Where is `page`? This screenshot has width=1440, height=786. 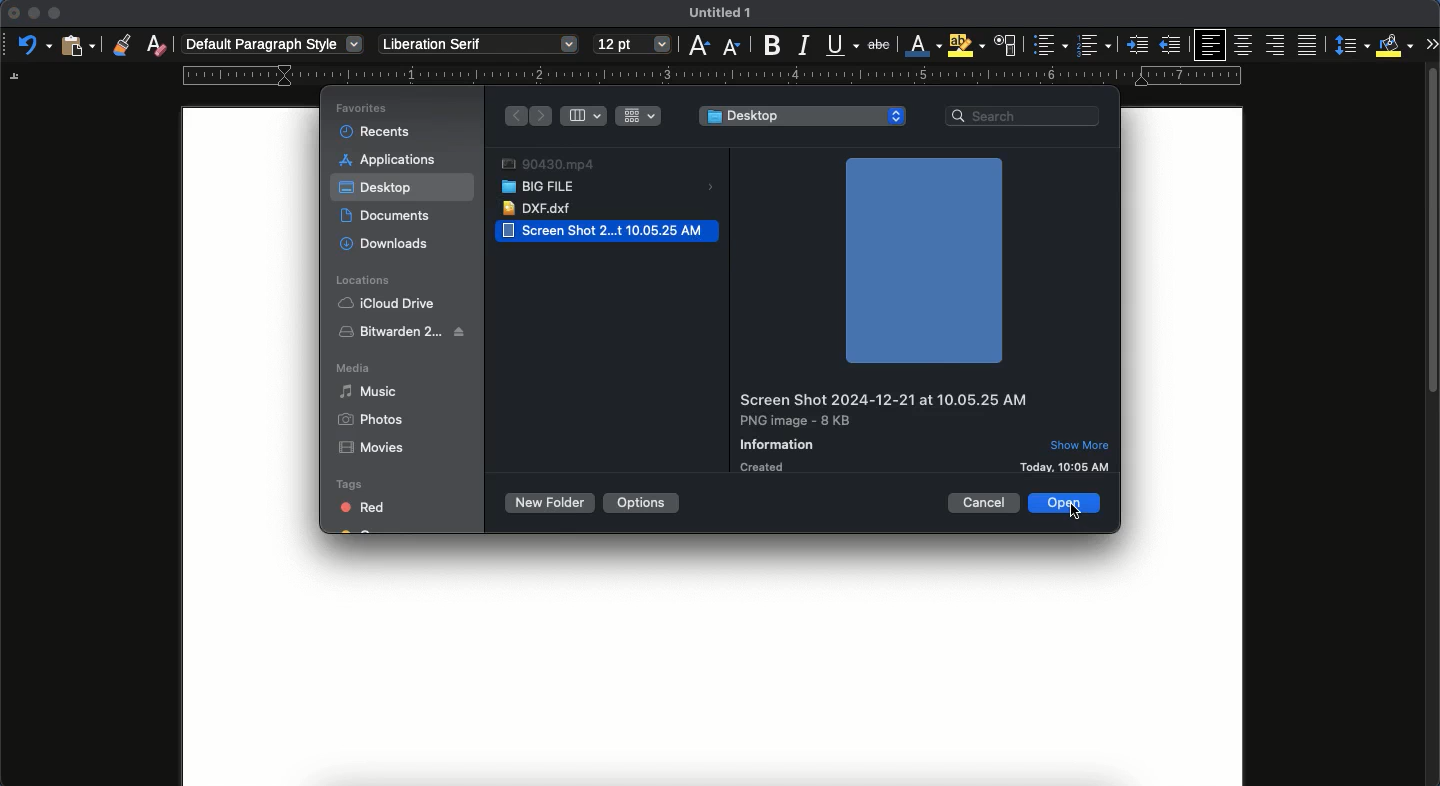 page is located at coordinates (713, 667).